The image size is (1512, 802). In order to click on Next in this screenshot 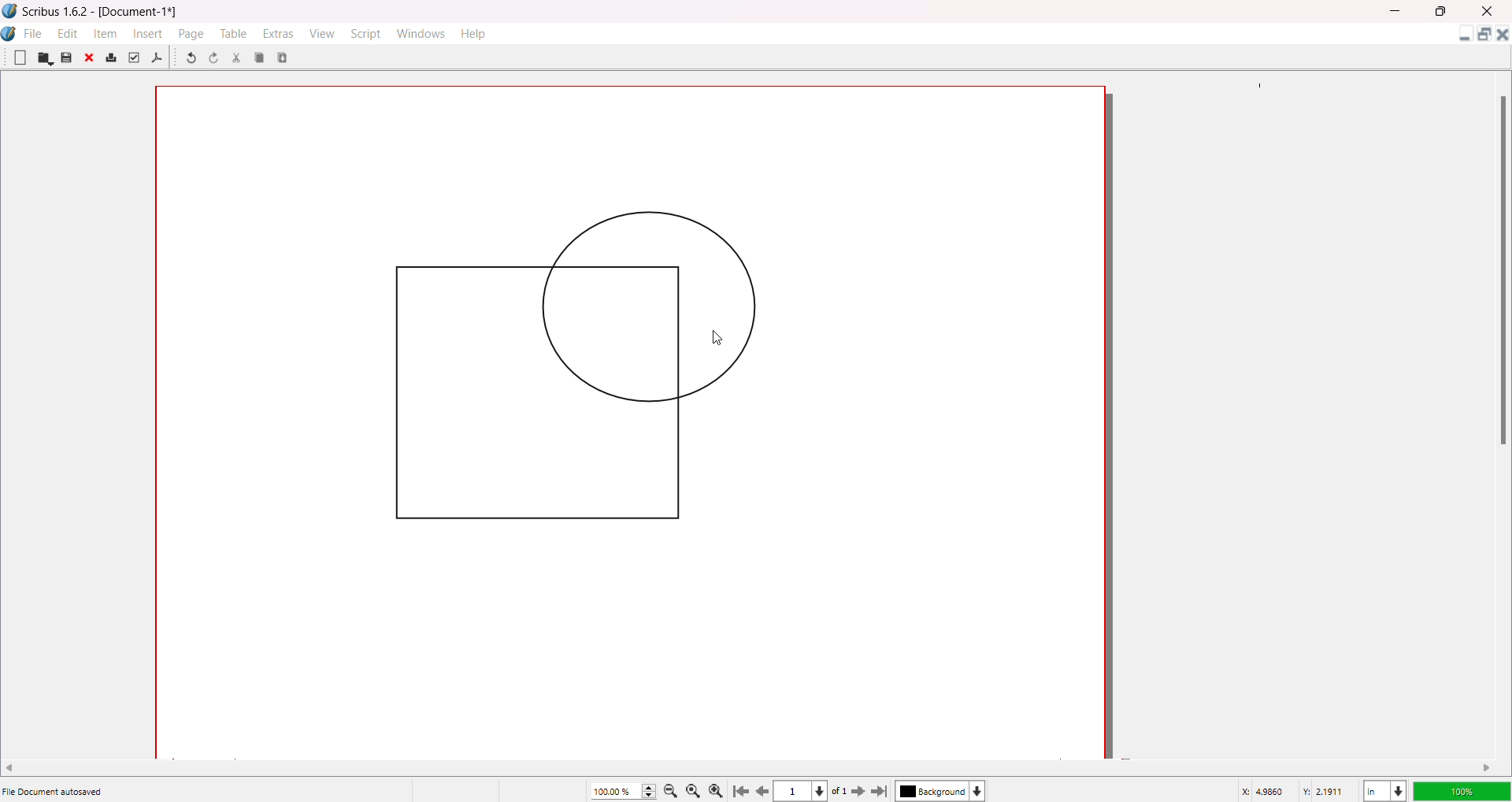, I will do `click(862, 790)`.